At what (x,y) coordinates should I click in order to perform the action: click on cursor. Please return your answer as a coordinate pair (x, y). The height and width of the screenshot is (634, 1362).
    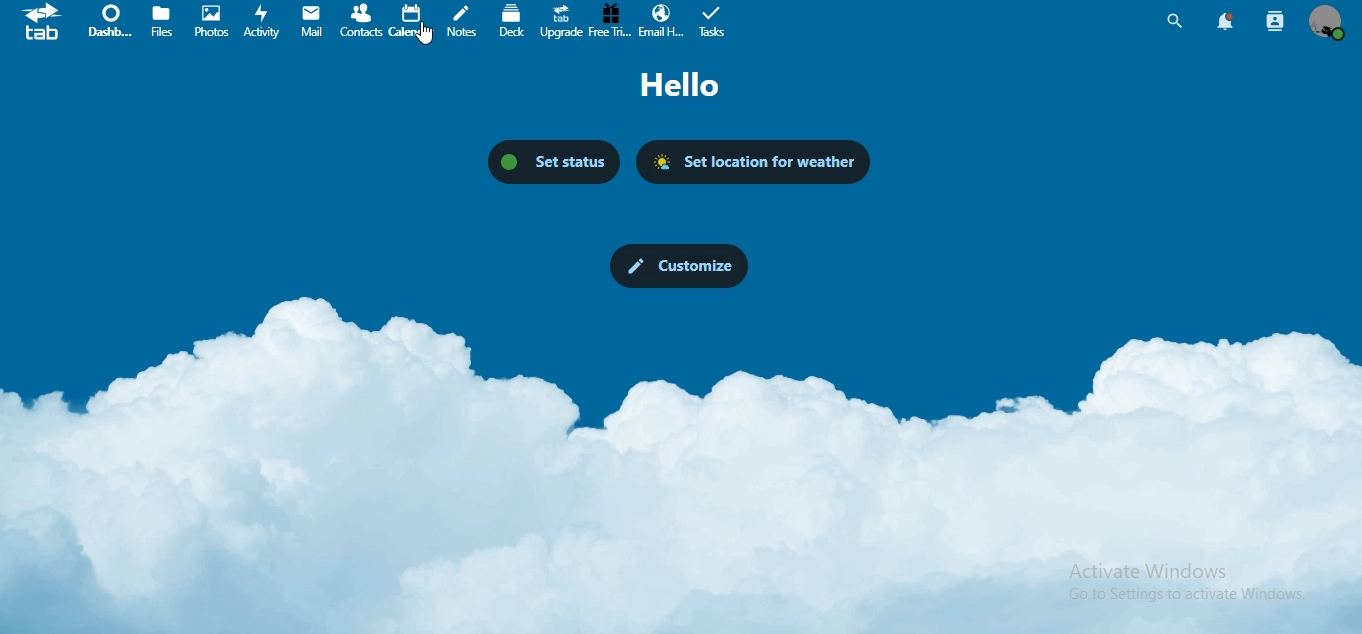
    Looking at the image, I should click on (427, 39).